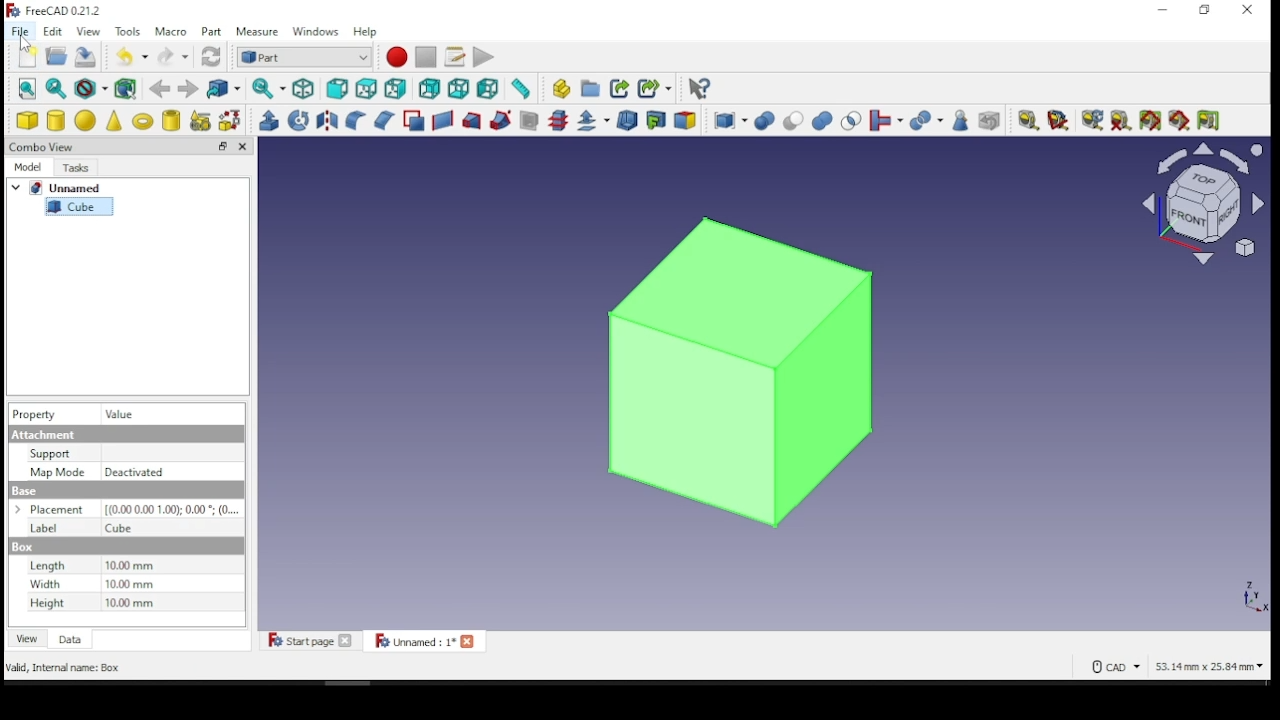 This screenshot has width=1280, height=720. I want to click on fit selection, so click(56, 88).